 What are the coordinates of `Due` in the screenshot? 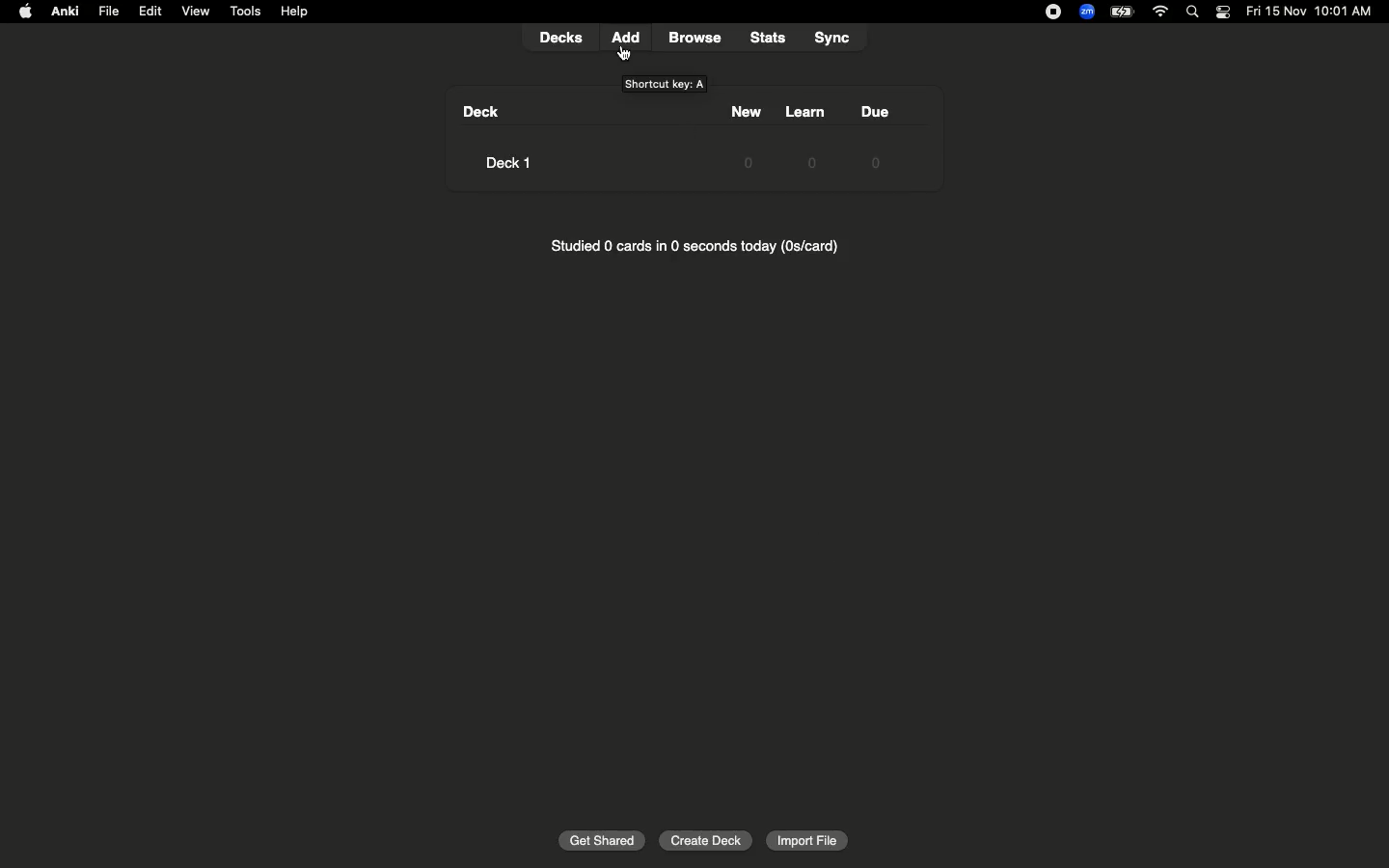 It's located at (879, 136).